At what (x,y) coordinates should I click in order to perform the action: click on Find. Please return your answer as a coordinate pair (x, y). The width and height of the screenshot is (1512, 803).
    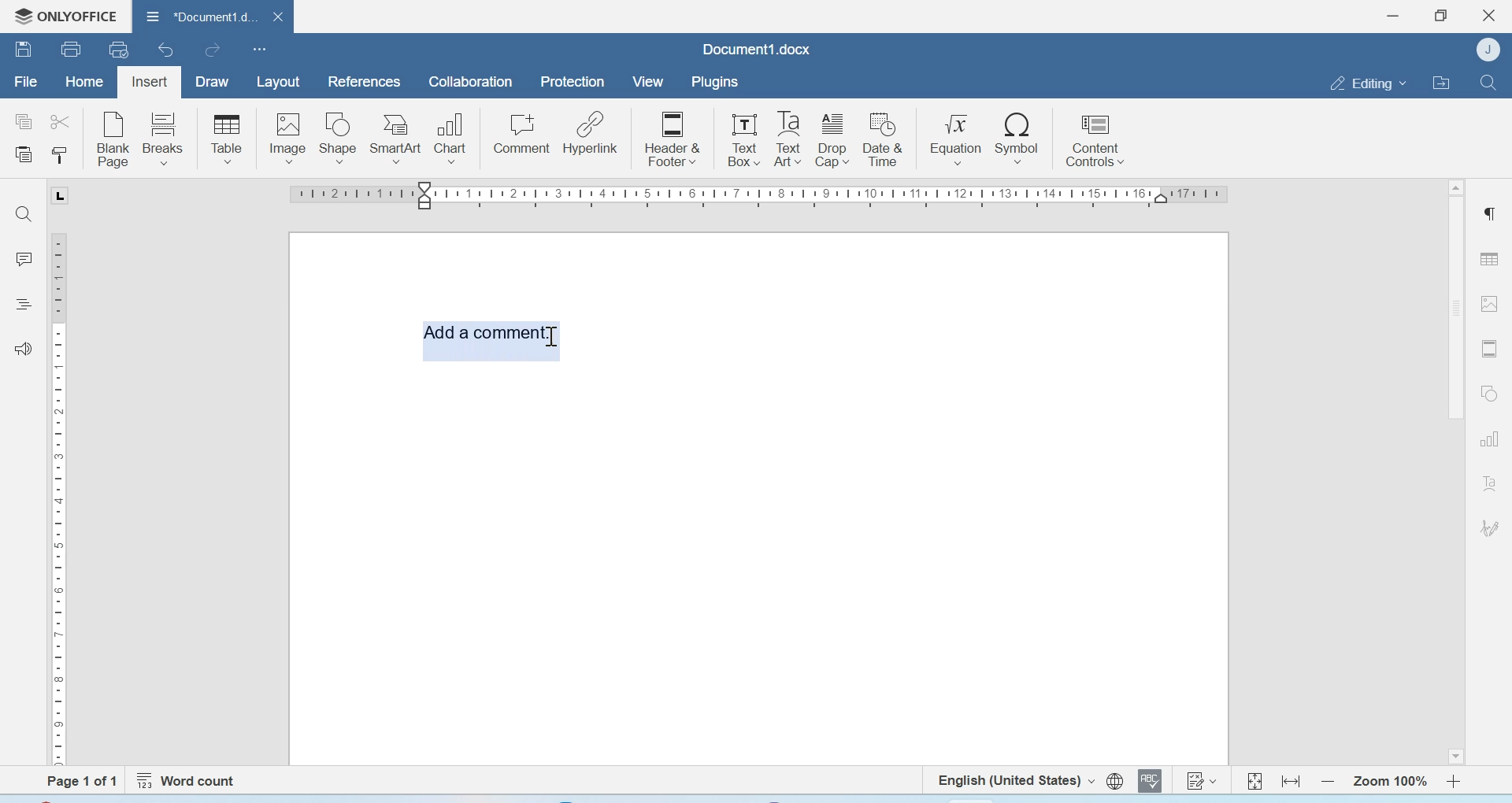
    Looking at the image, I should click on (22, 213).